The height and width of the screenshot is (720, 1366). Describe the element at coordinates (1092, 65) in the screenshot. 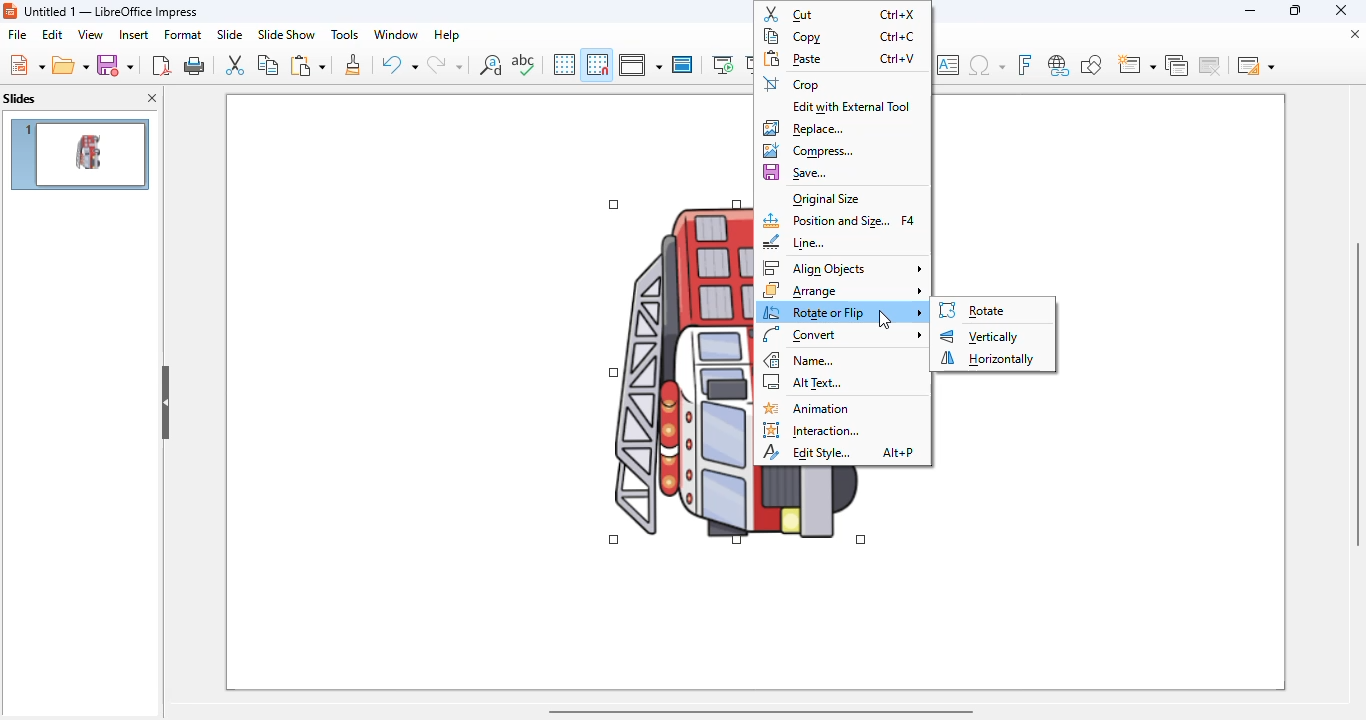

I see `show draw functions` at that location.